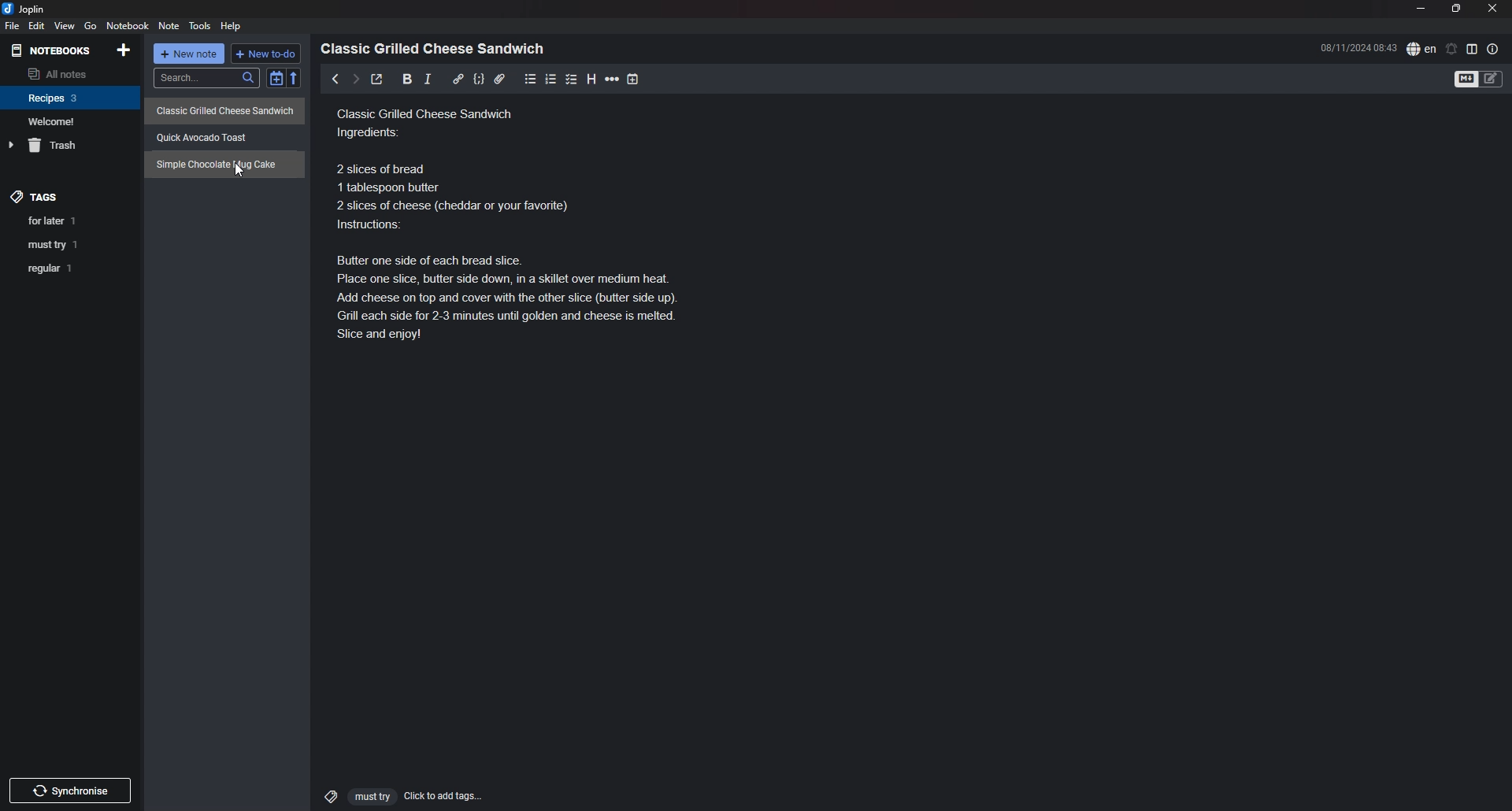 The width and height of the screenshot is (1512, 811). I want to click on next, so click(354, 79).